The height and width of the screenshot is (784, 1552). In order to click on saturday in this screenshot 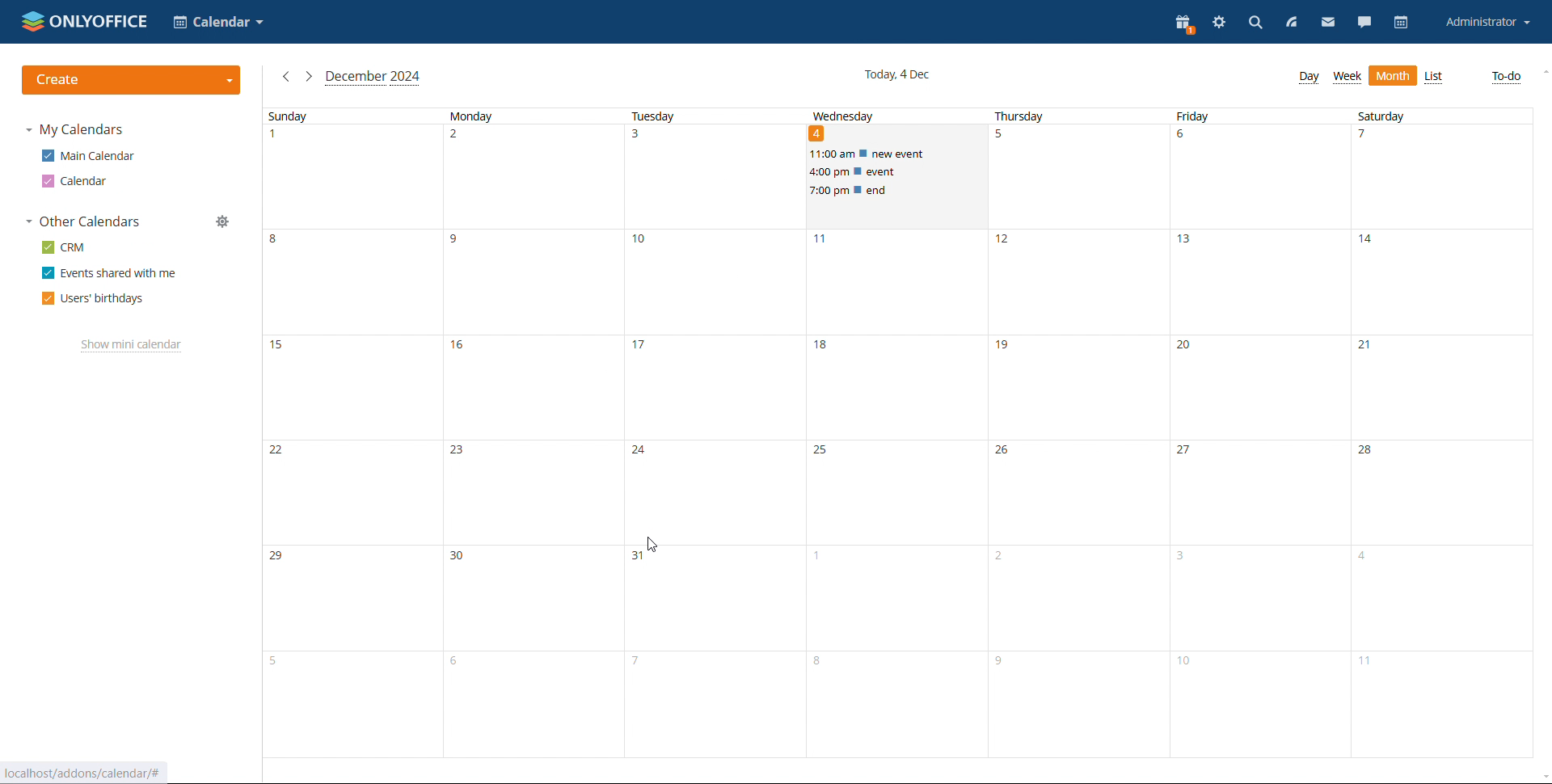, I will do `click(1444, 435)`.